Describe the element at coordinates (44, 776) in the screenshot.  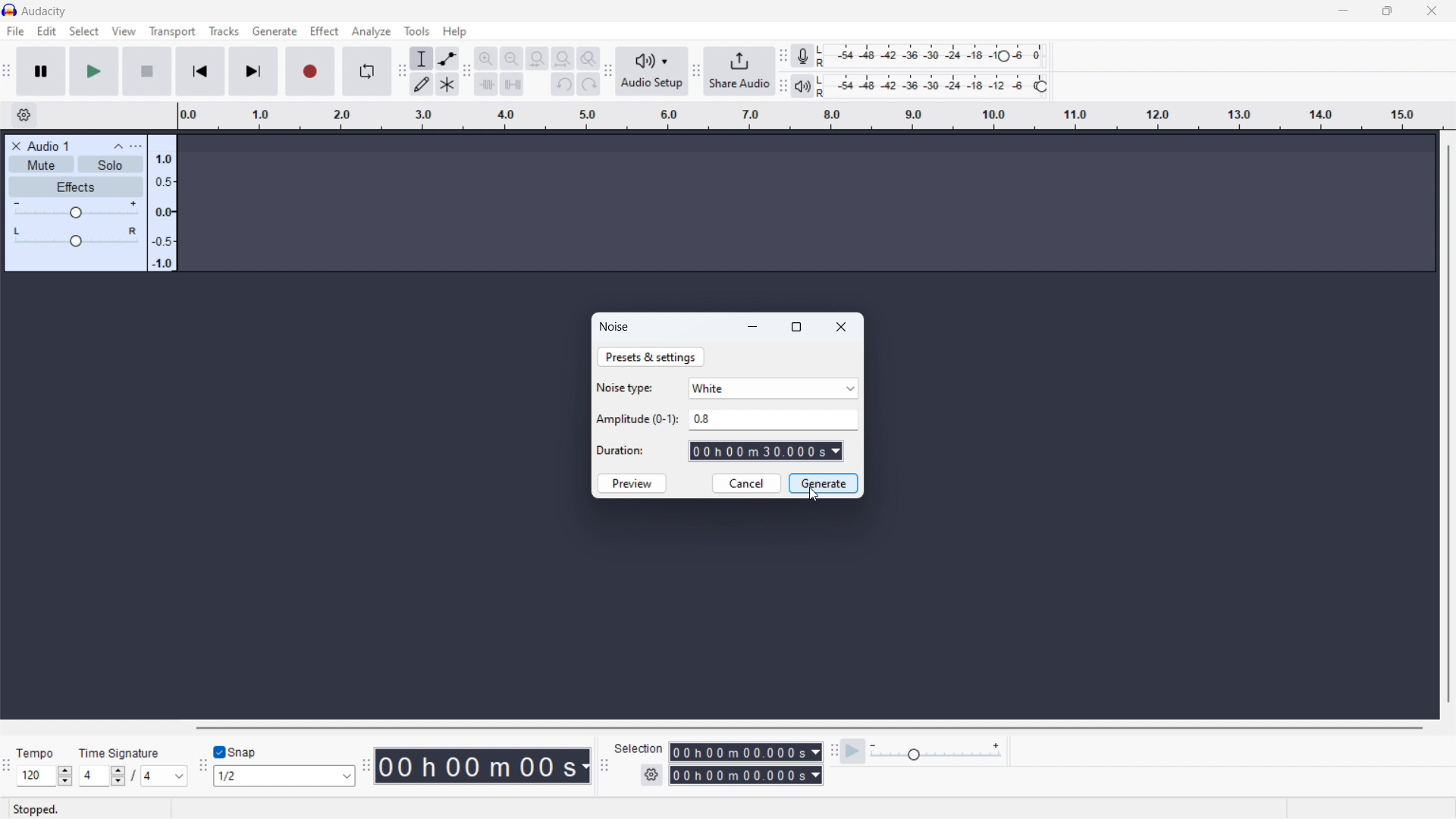
I see `select tempo` at that location.